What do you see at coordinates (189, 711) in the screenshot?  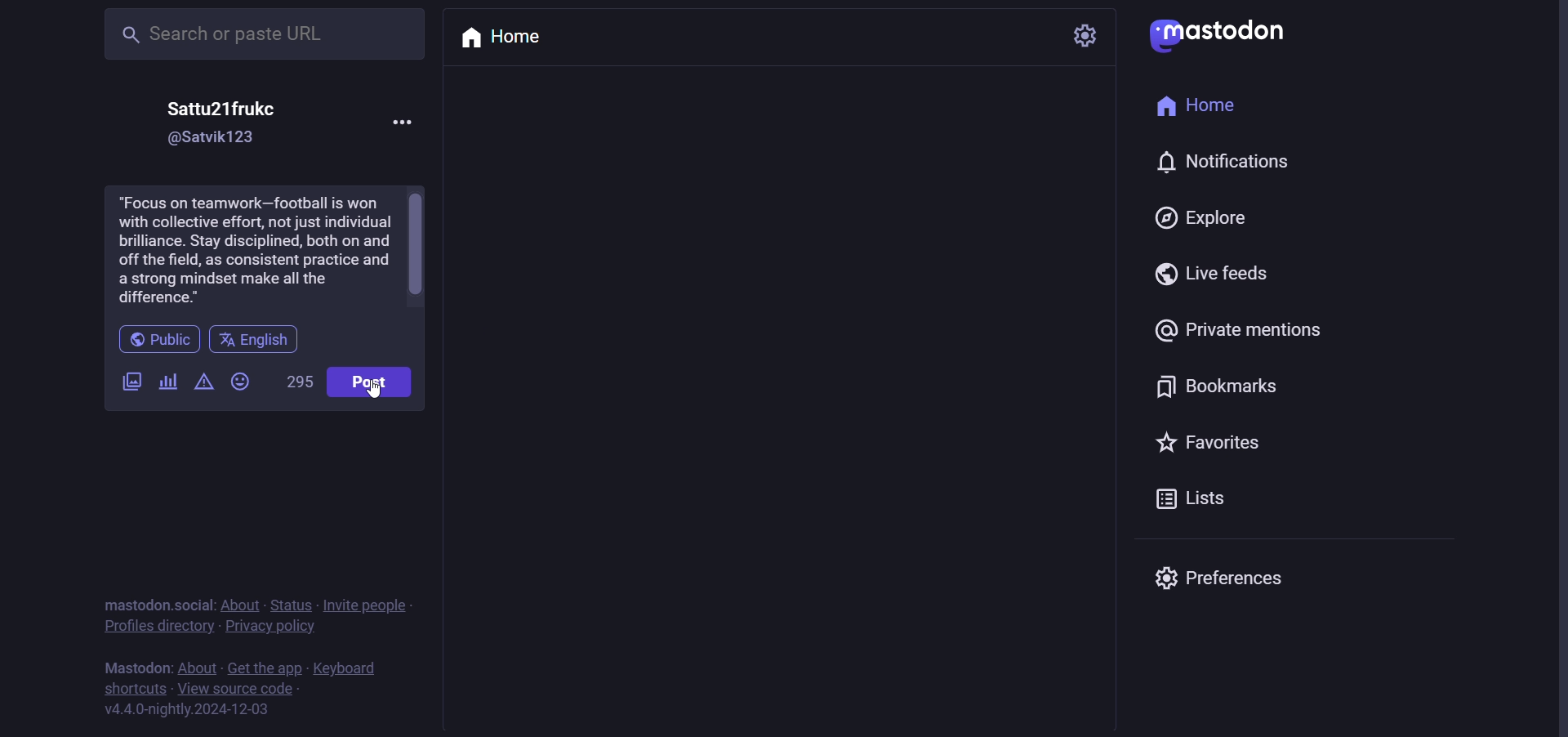 I see `version` at bounding box center [189, 711].